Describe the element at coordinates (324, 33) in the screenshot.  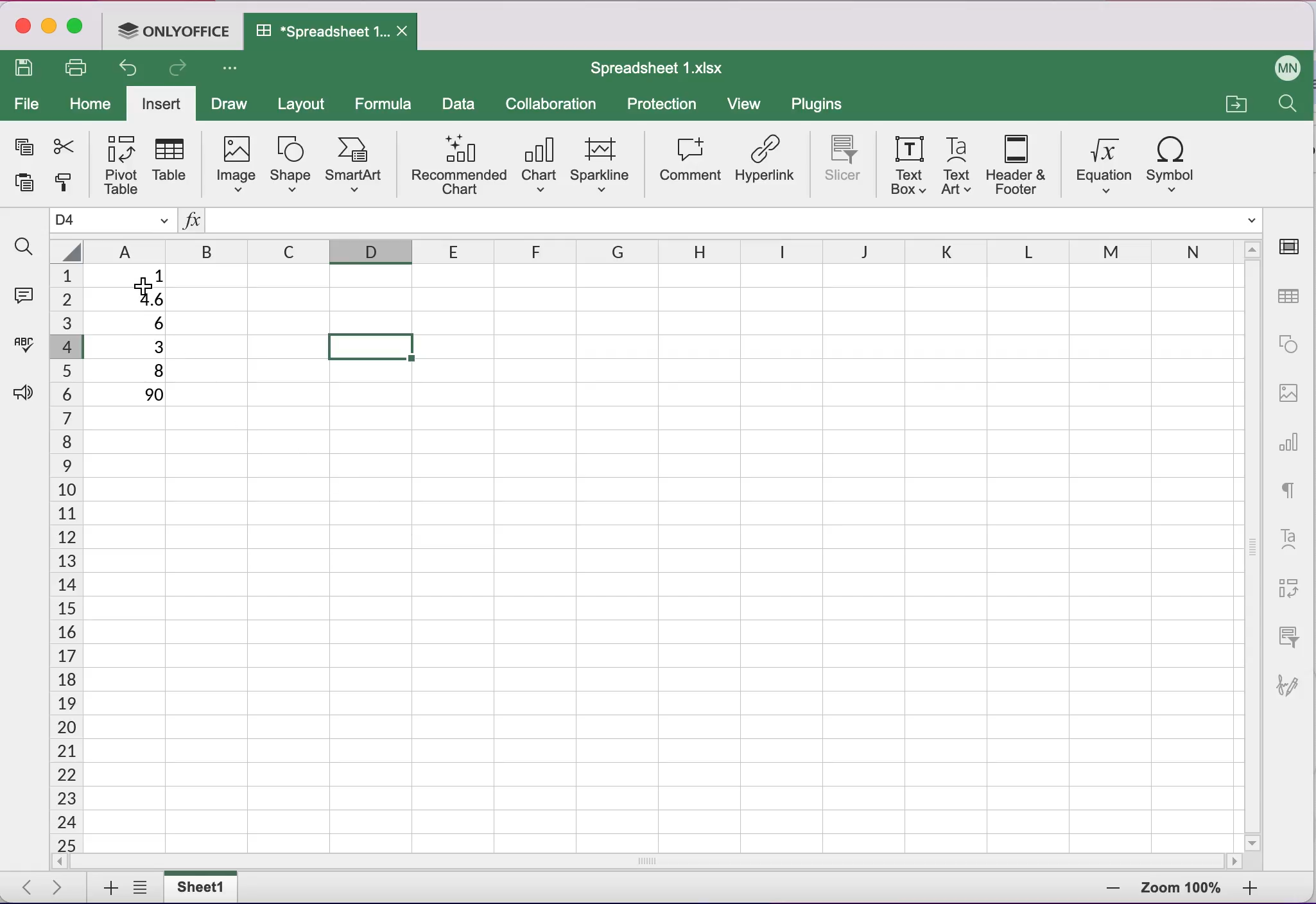
I see `Spreadsheet 1.xIsx` at that location.